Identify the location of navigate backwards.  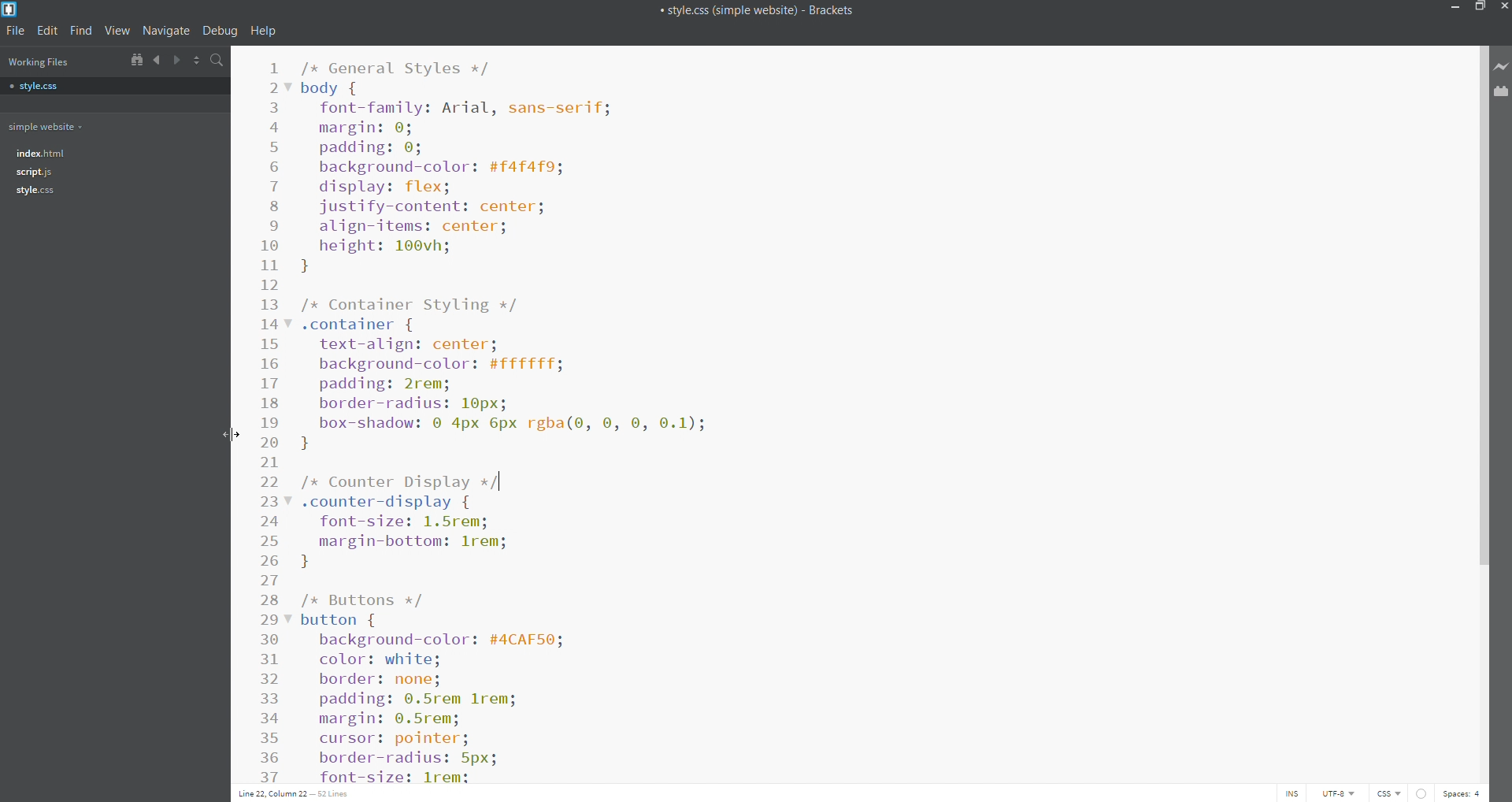
(156, 60).